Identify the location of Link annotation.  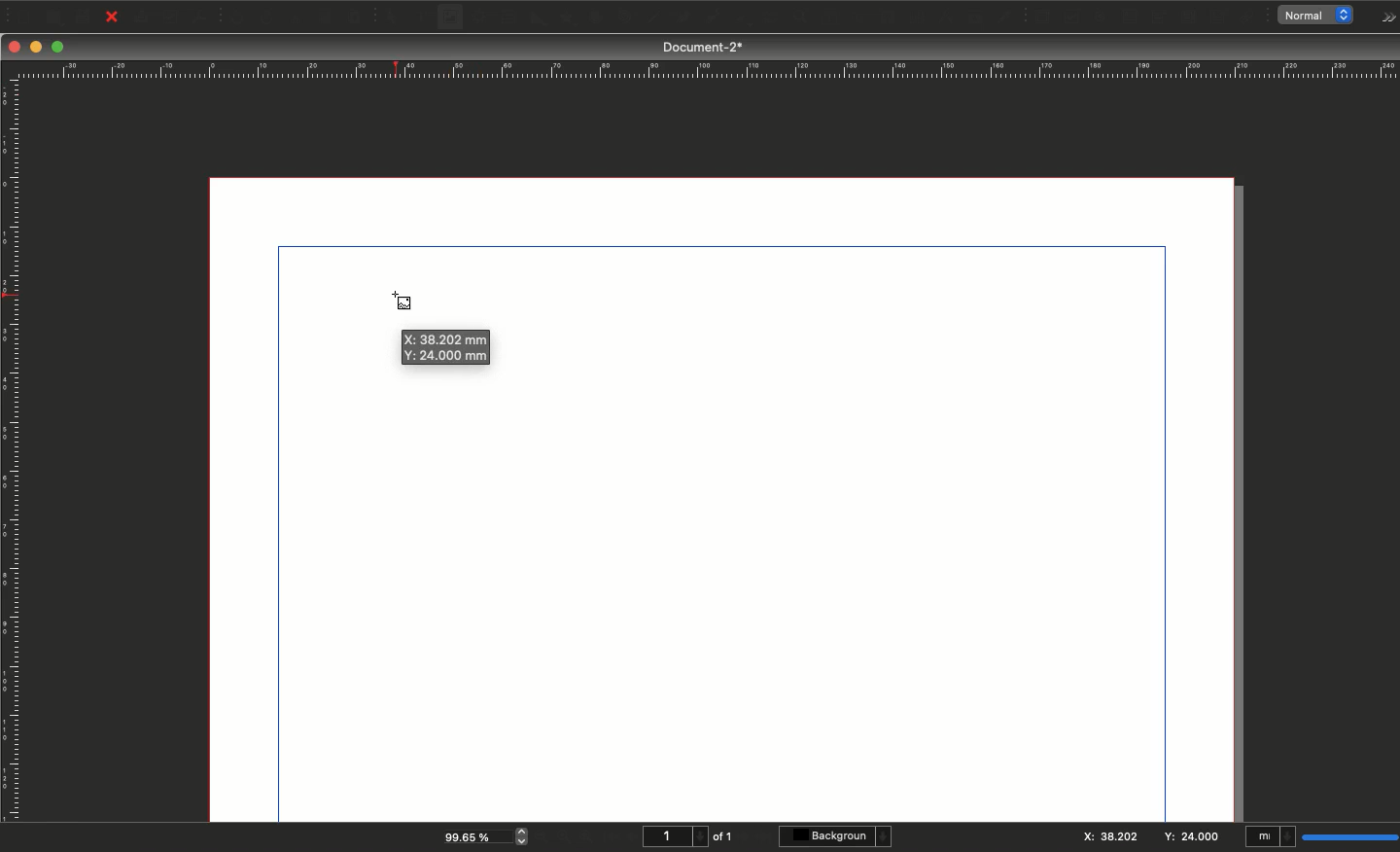
(1250, 18).